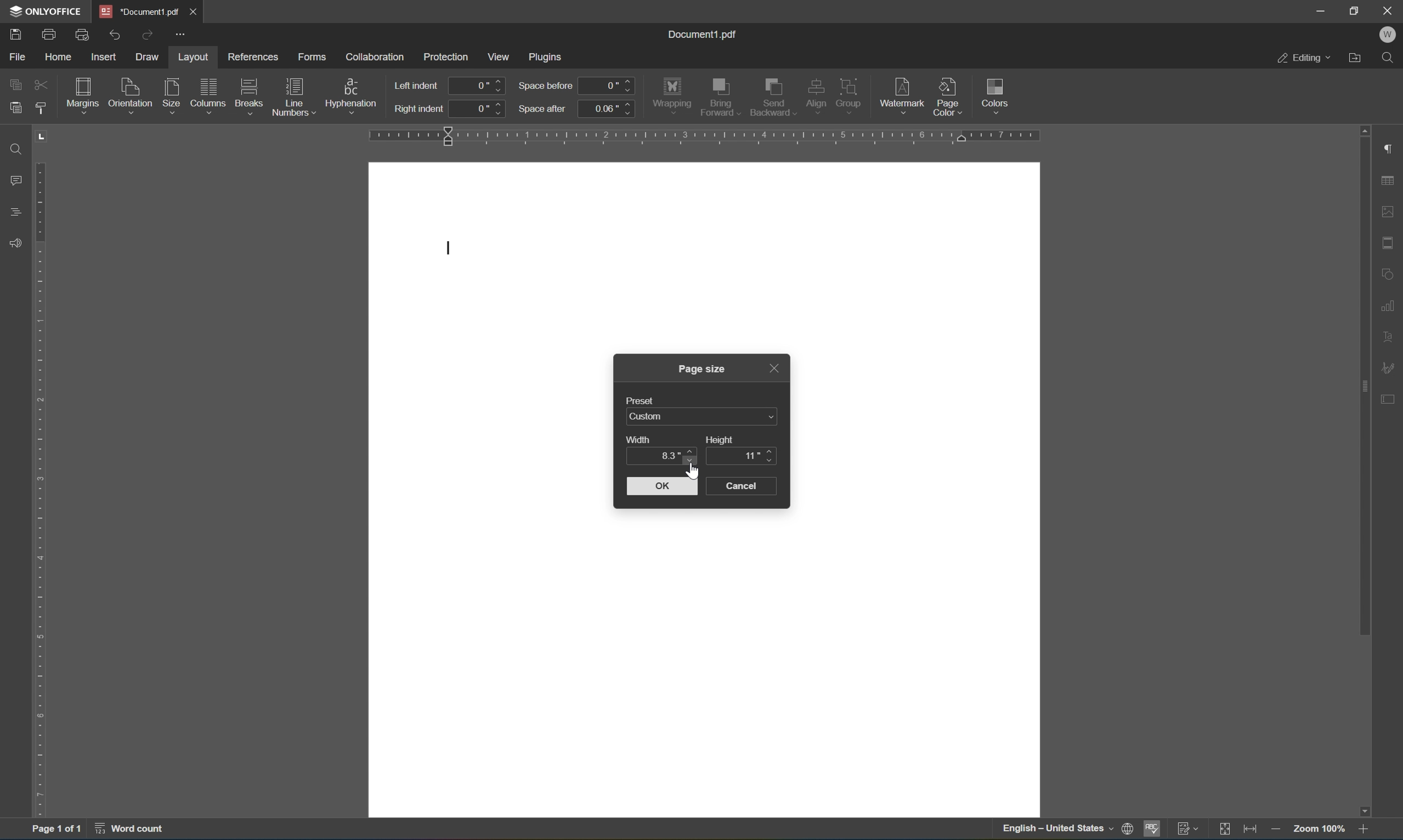 Image resolution: width=1403 pixels, height=840 pixels. I want to click on page colors, so click(947, 96).